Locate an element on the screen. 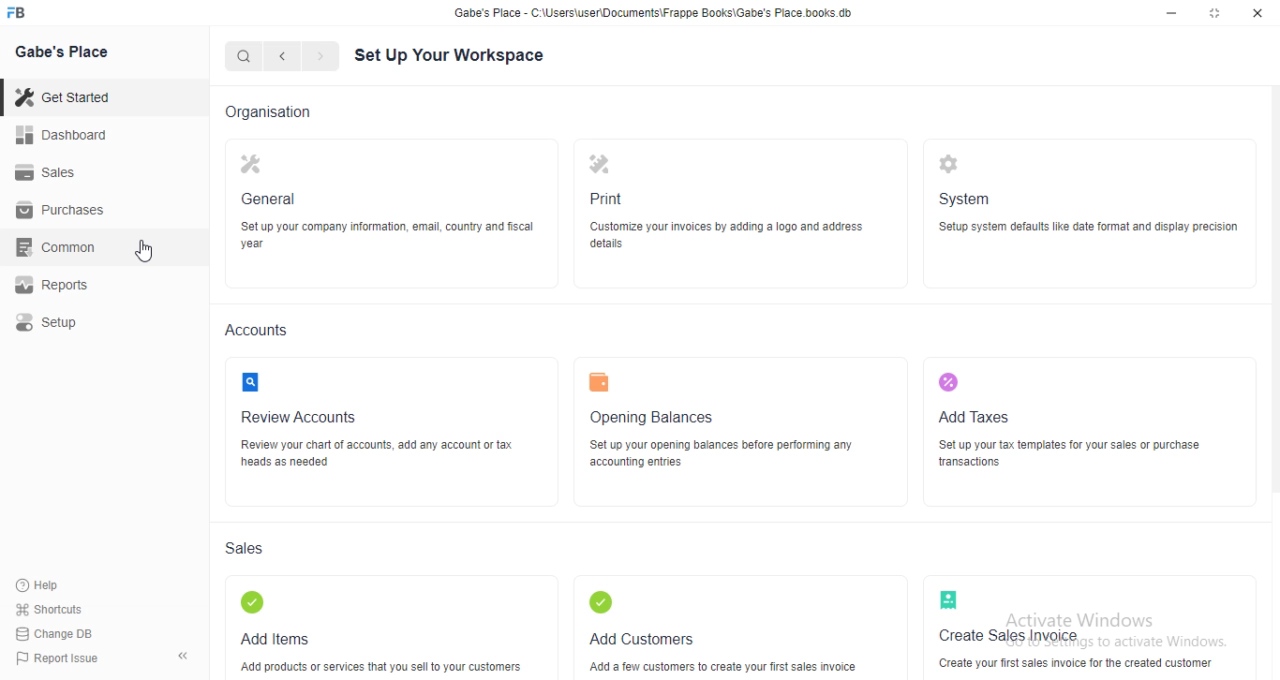 This screenshot has height=680, width=1280. Add Items is located at coordinates (278, 639).